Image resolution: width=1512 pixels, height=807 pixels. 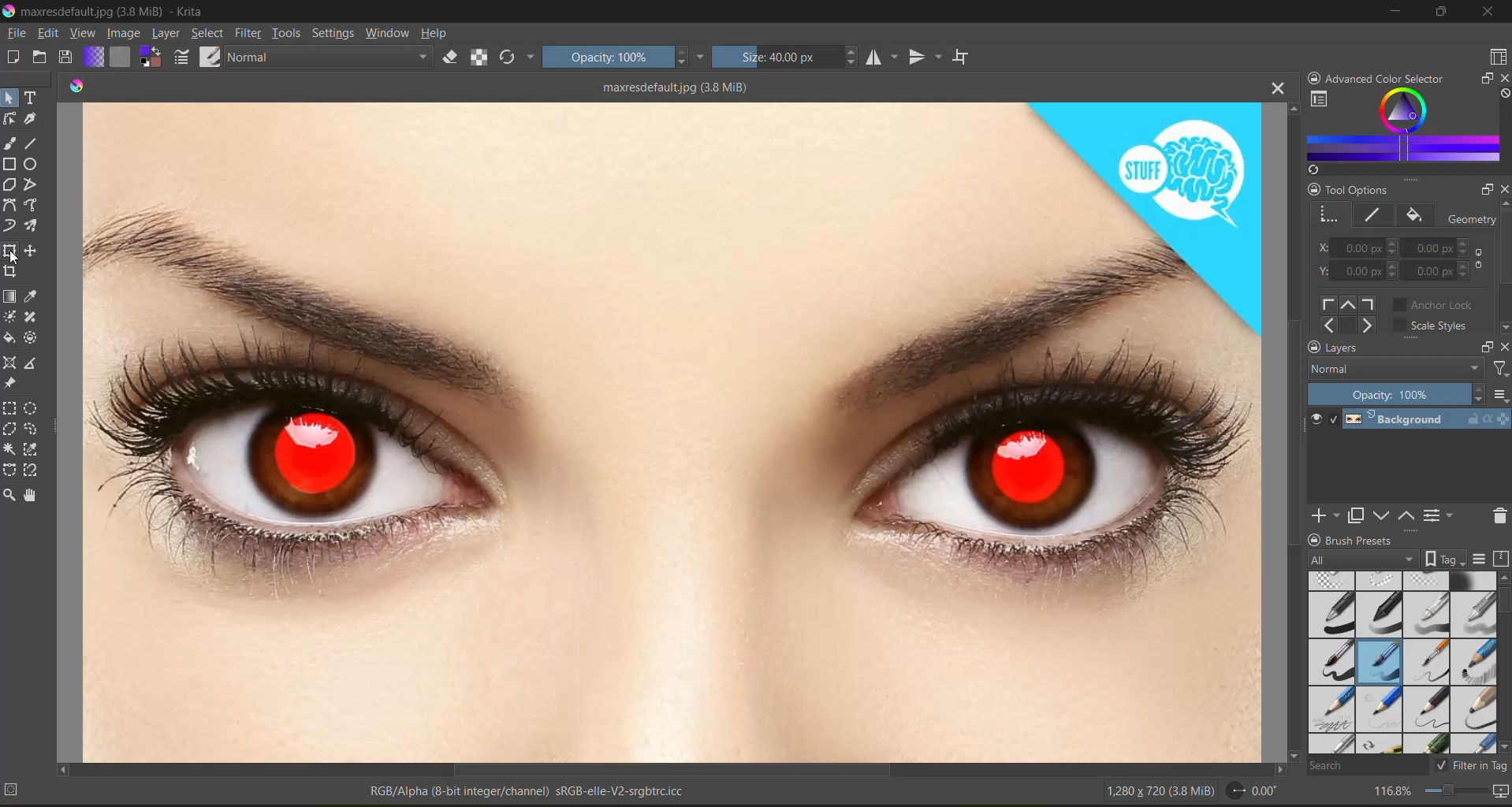 What do you see at coordinates (35, 250) in the screenshot?
I see `tool` at bounding box center [35, 250].